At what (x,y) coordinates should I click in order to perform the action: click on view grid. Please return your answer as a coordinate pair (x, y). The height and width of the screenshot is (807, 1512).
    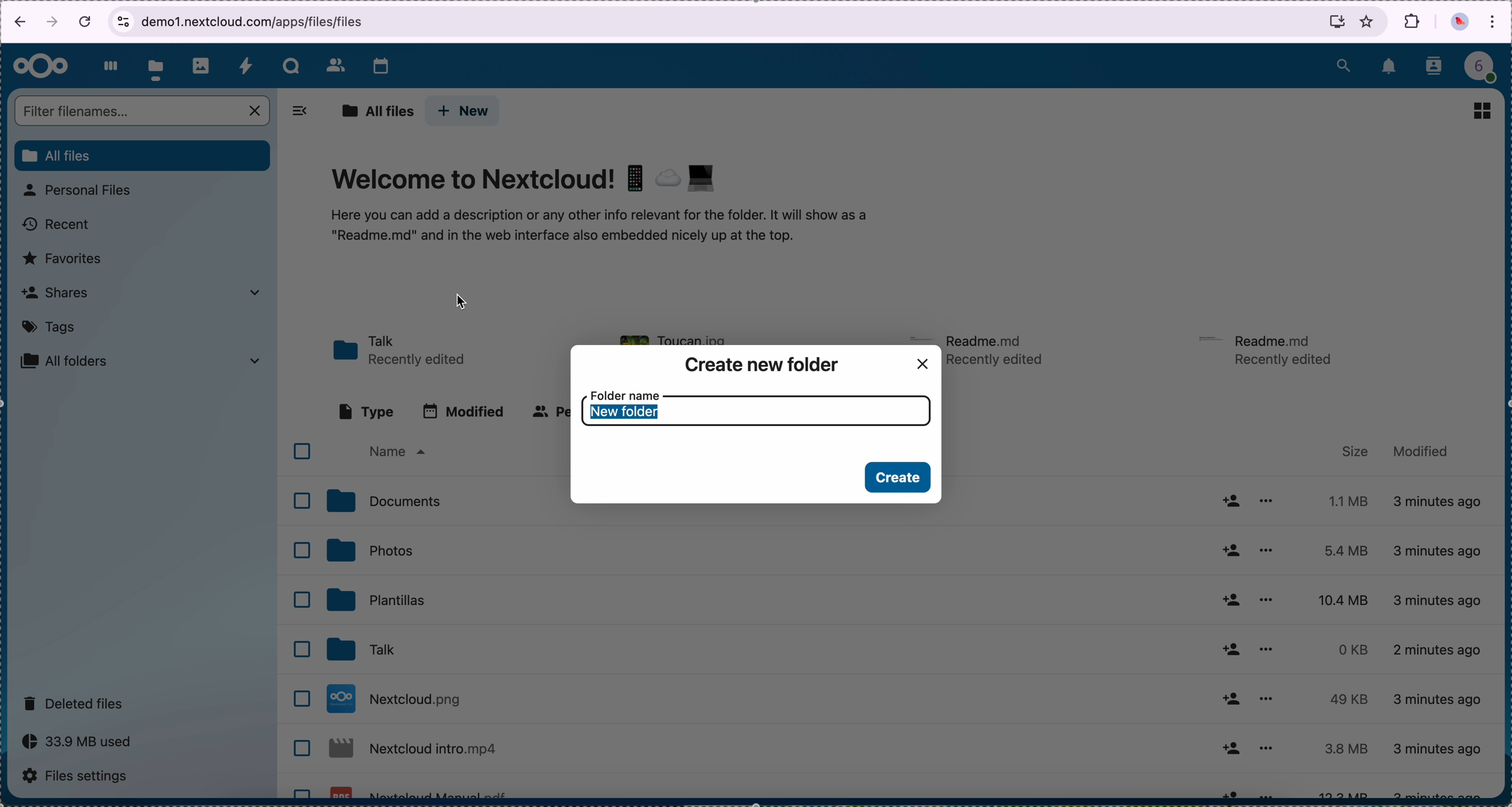
    Looking at the image, I should click on (1481, 110).